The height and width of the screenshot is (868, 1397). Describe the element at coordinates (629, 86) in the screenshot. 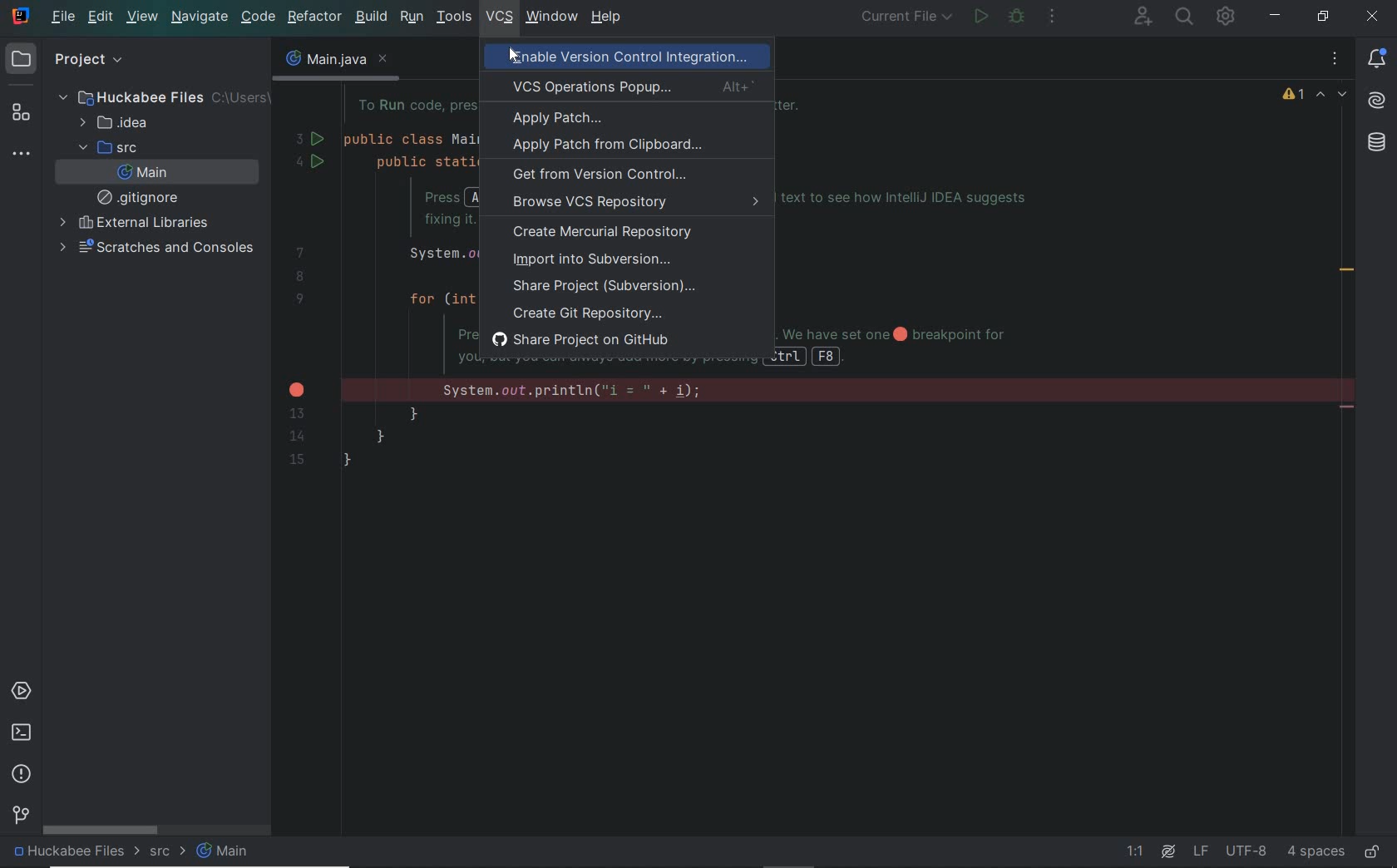

I see `vcs operations popup` at that location.